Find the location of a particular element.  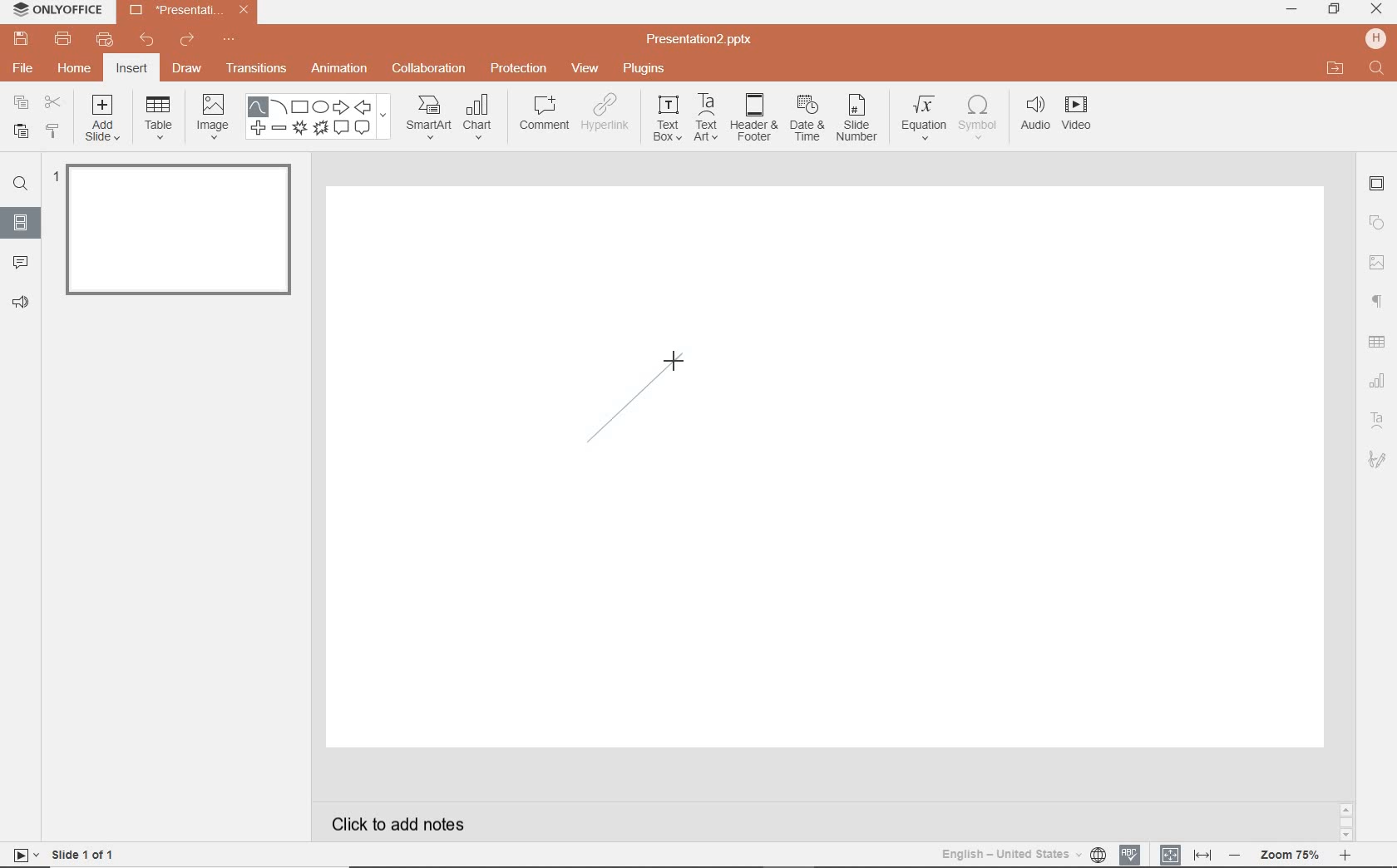

HP is located at coordinates (1374, 37).